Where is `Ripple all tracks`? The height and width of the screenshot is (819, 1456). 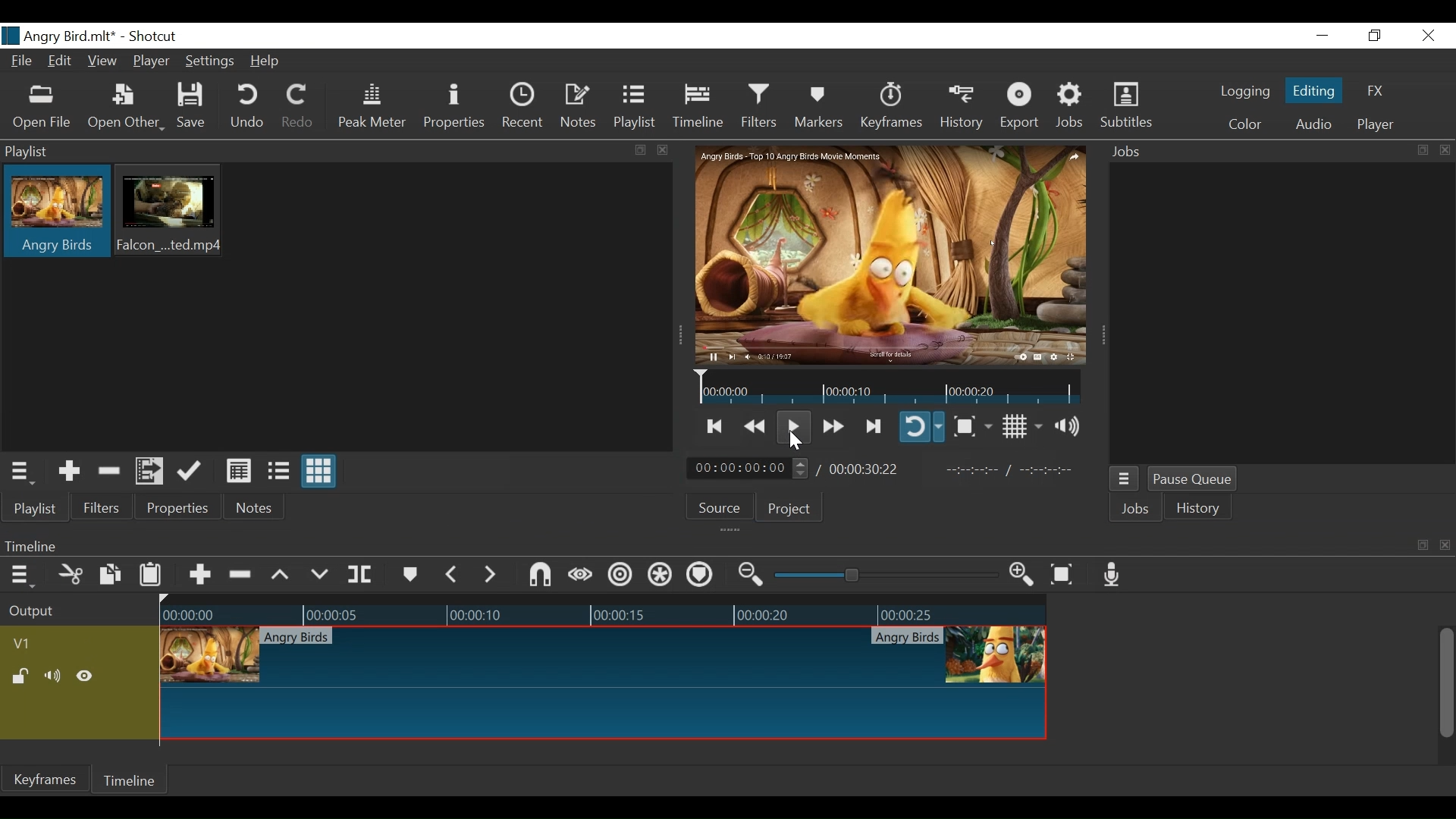 Ripple all tracks is located at coordinates (659, 576).